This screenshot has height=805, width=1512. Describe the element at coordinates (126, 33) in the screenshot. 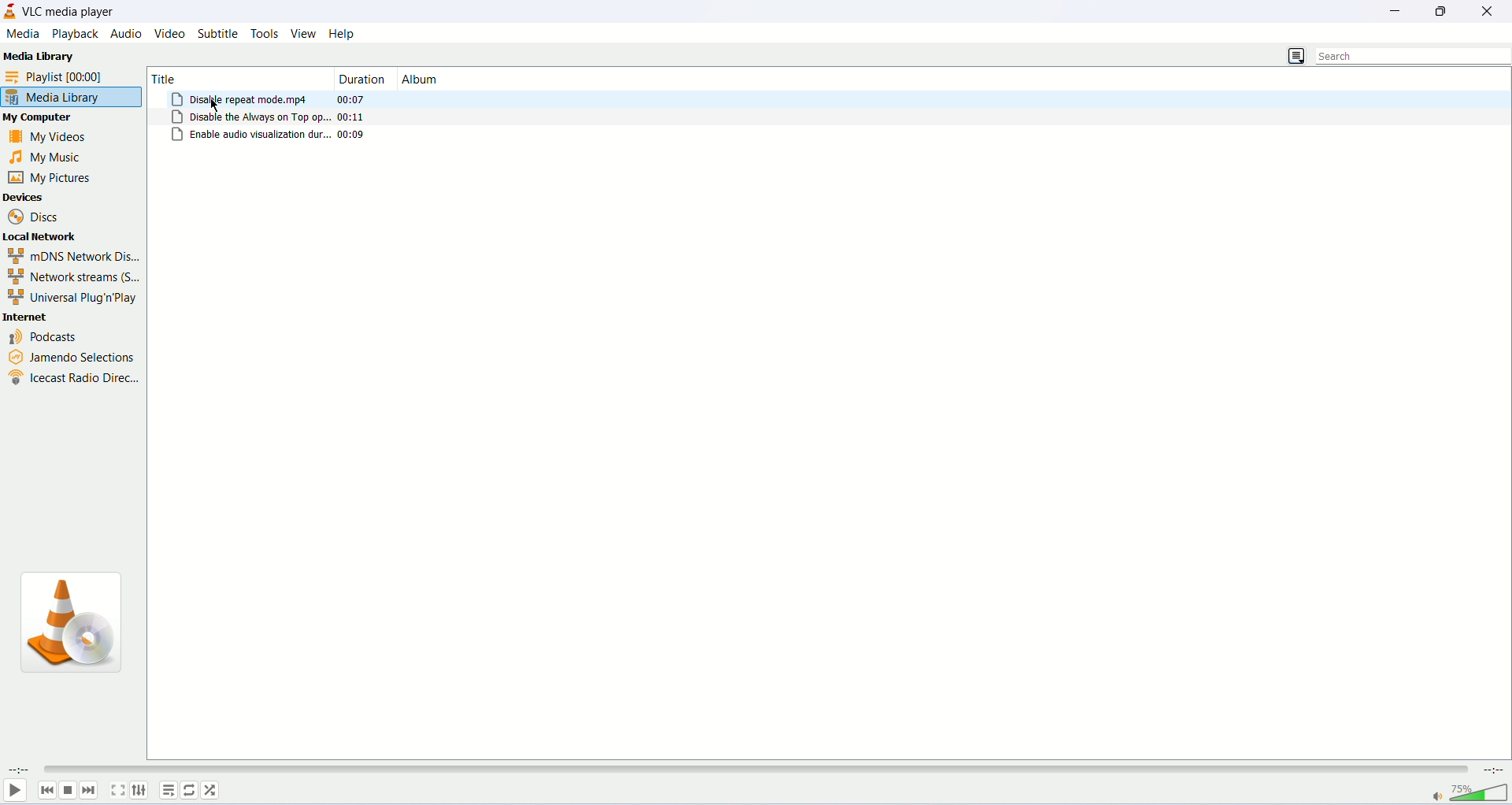

I see `audio` at that location.